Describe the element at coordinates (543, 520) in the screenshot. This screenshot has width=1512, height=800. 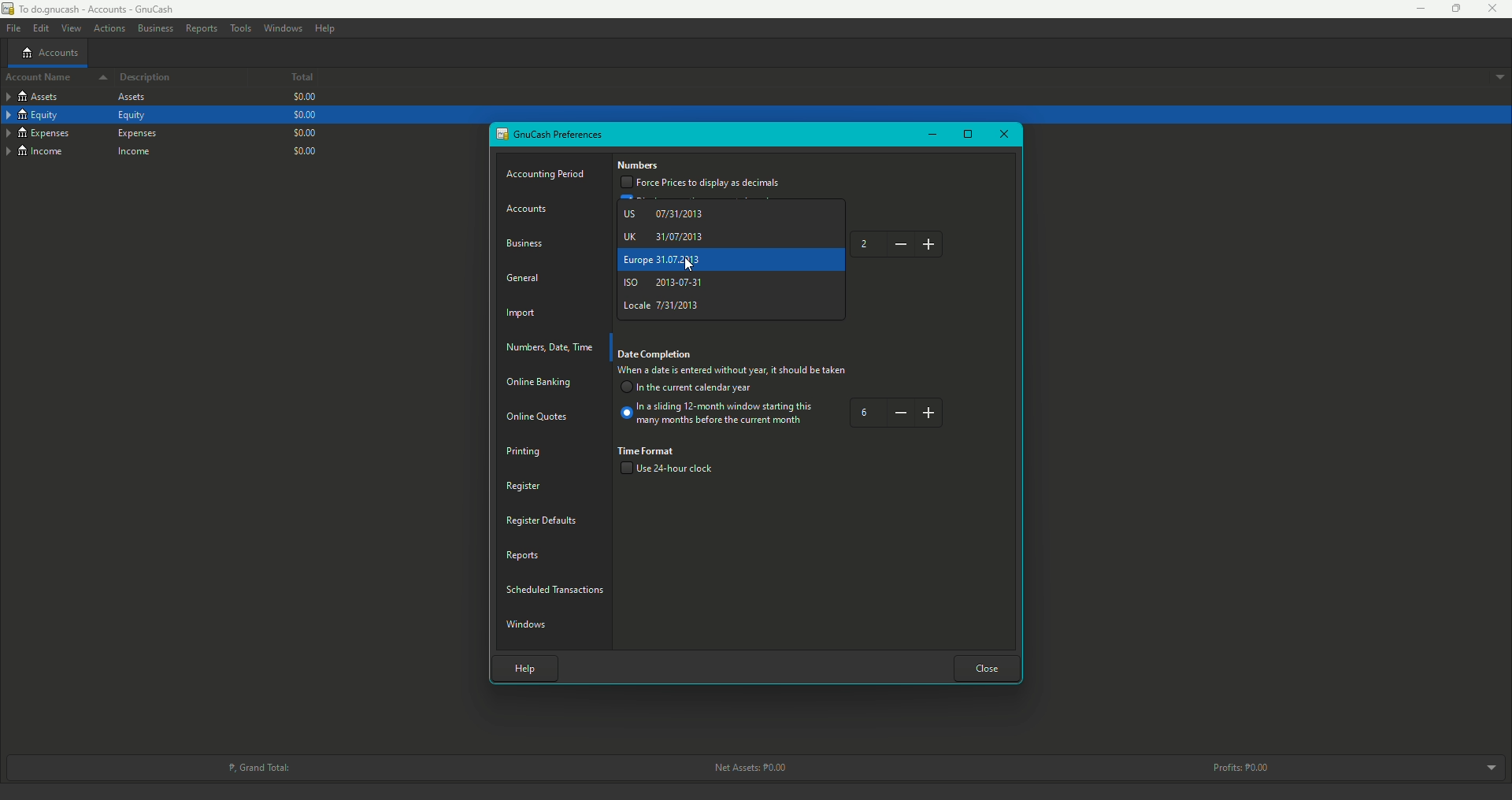
I see `Registered Defaults` at that location.